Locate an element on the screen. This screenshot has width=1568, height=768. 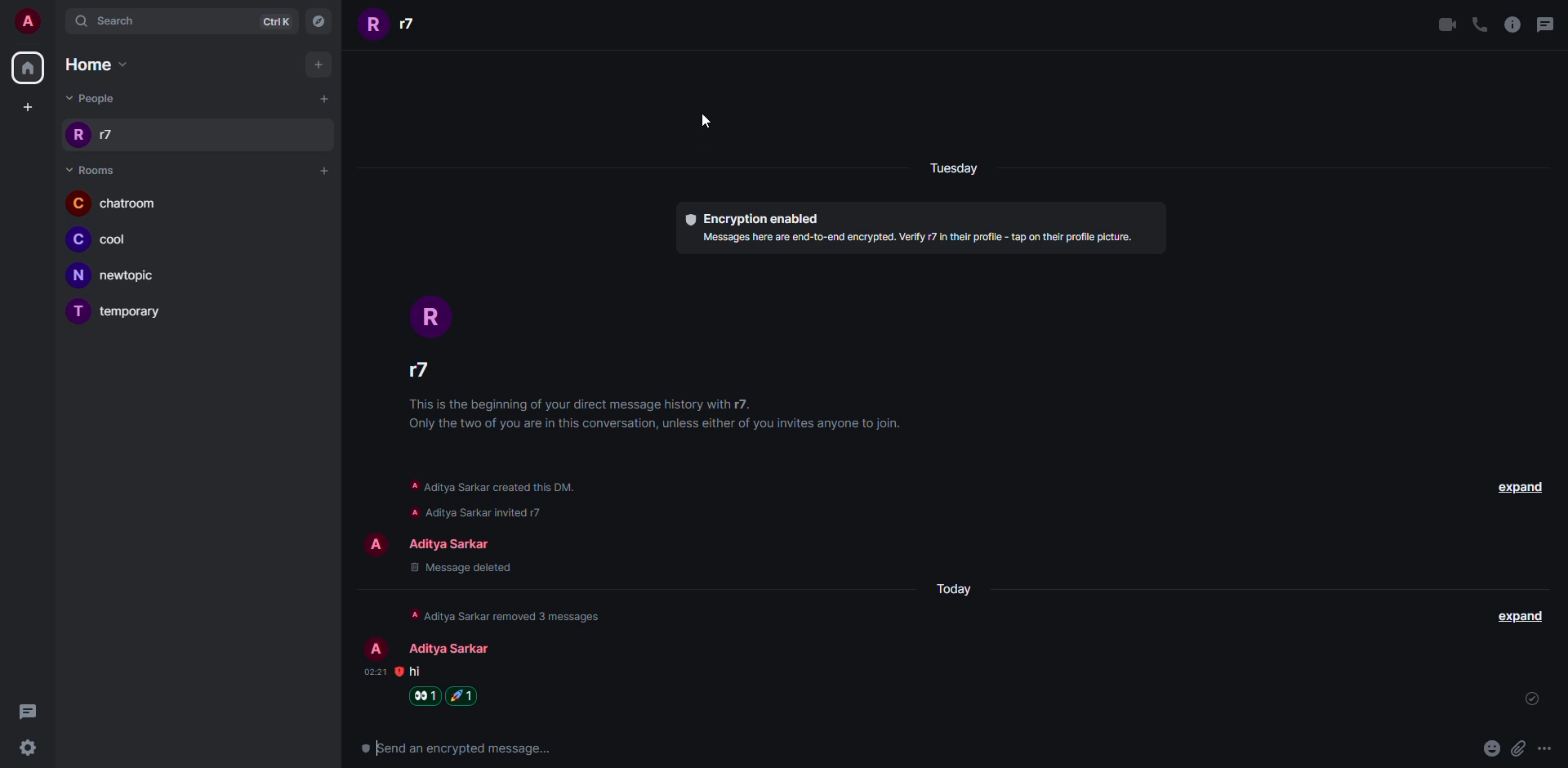
room is located at coordinates (118, 276).